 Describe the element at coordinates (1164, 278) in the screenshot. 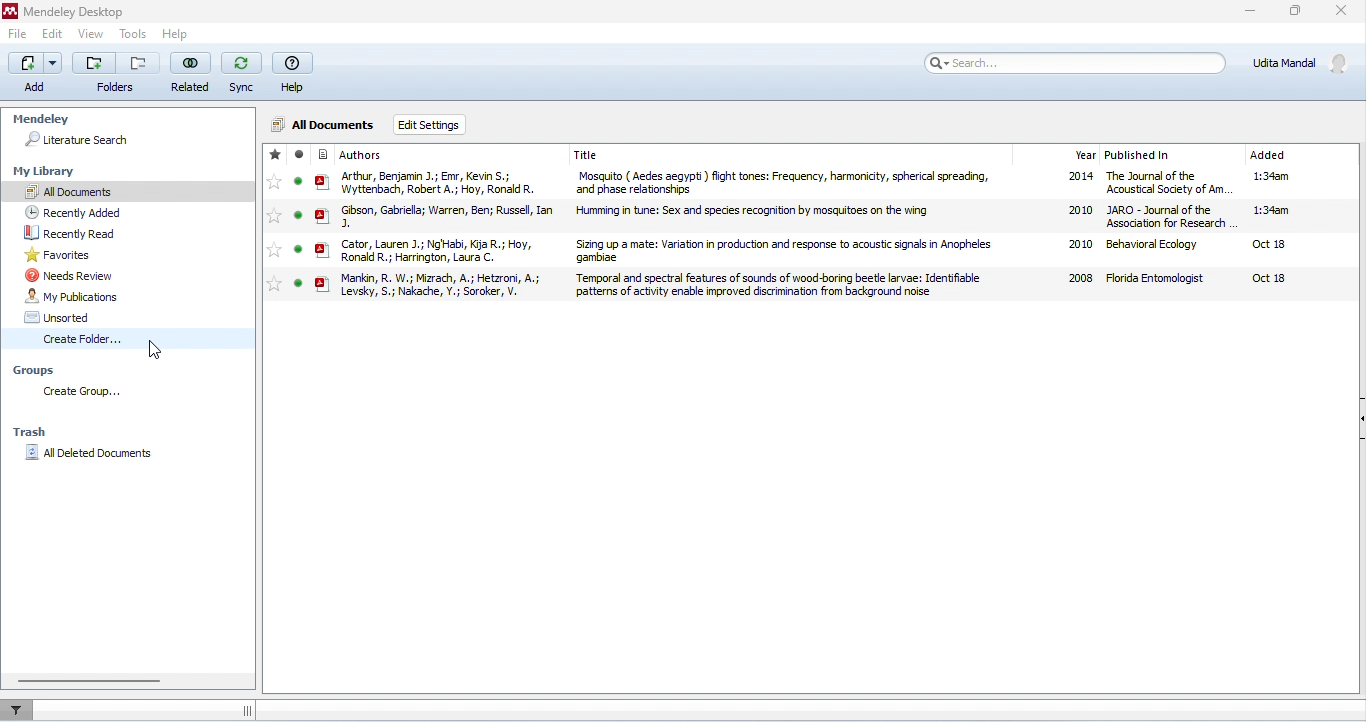

I see `Florida entomologists` at that location.